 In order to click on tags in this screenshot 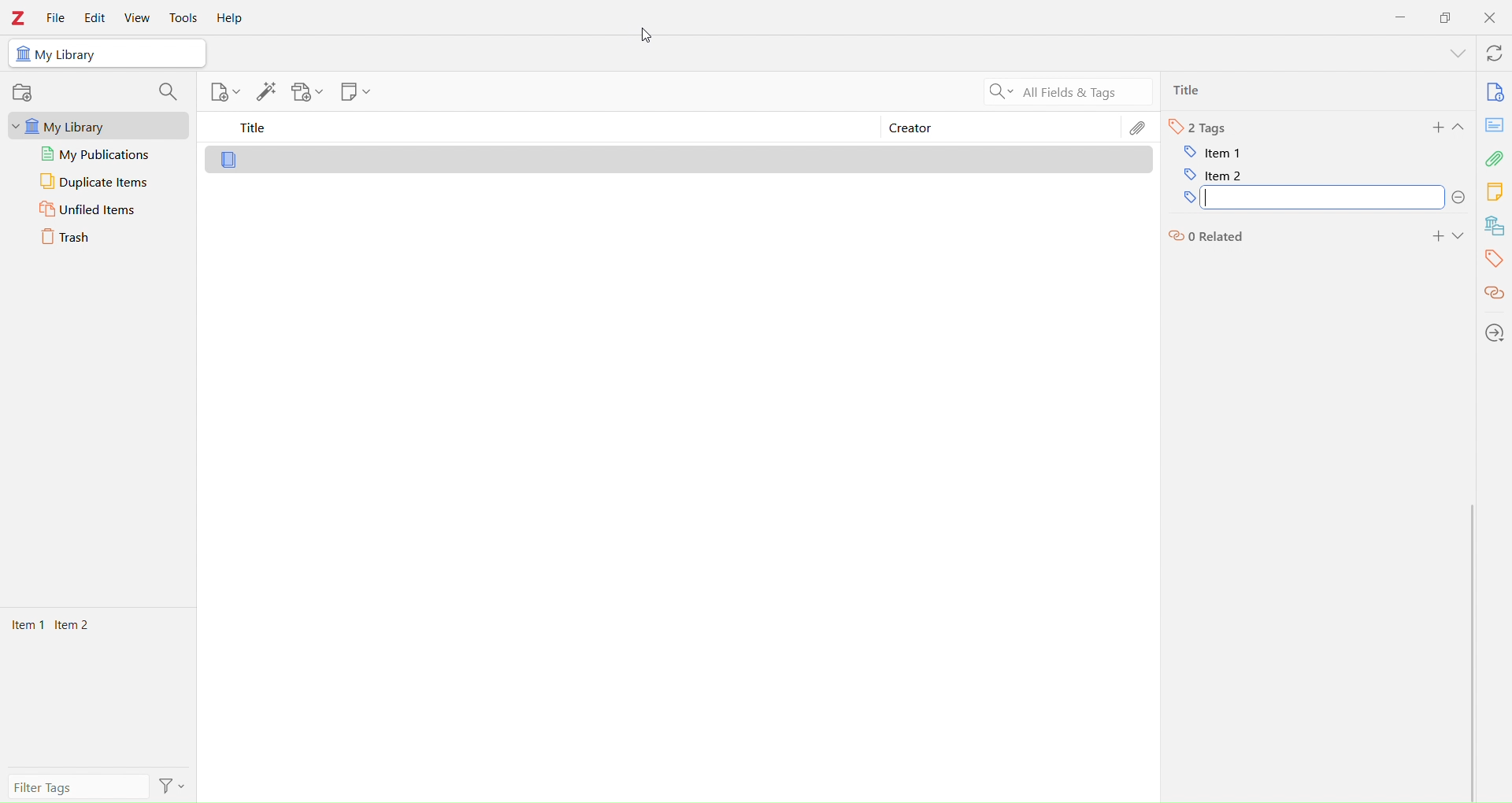, I will do `click(1214, 197)`.